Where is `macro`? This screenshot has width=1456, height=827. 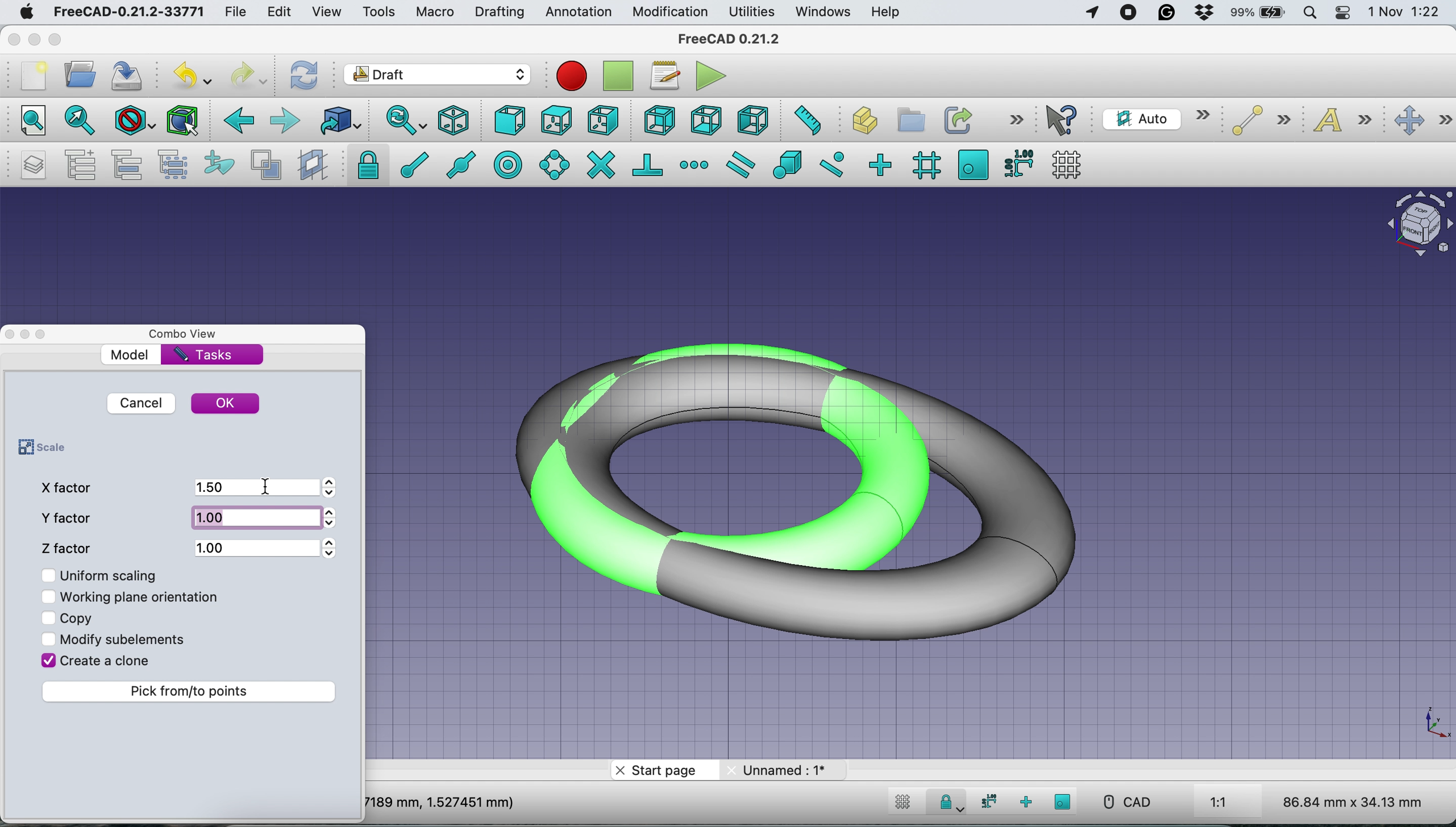 macro is located at coordinates (435, 14).